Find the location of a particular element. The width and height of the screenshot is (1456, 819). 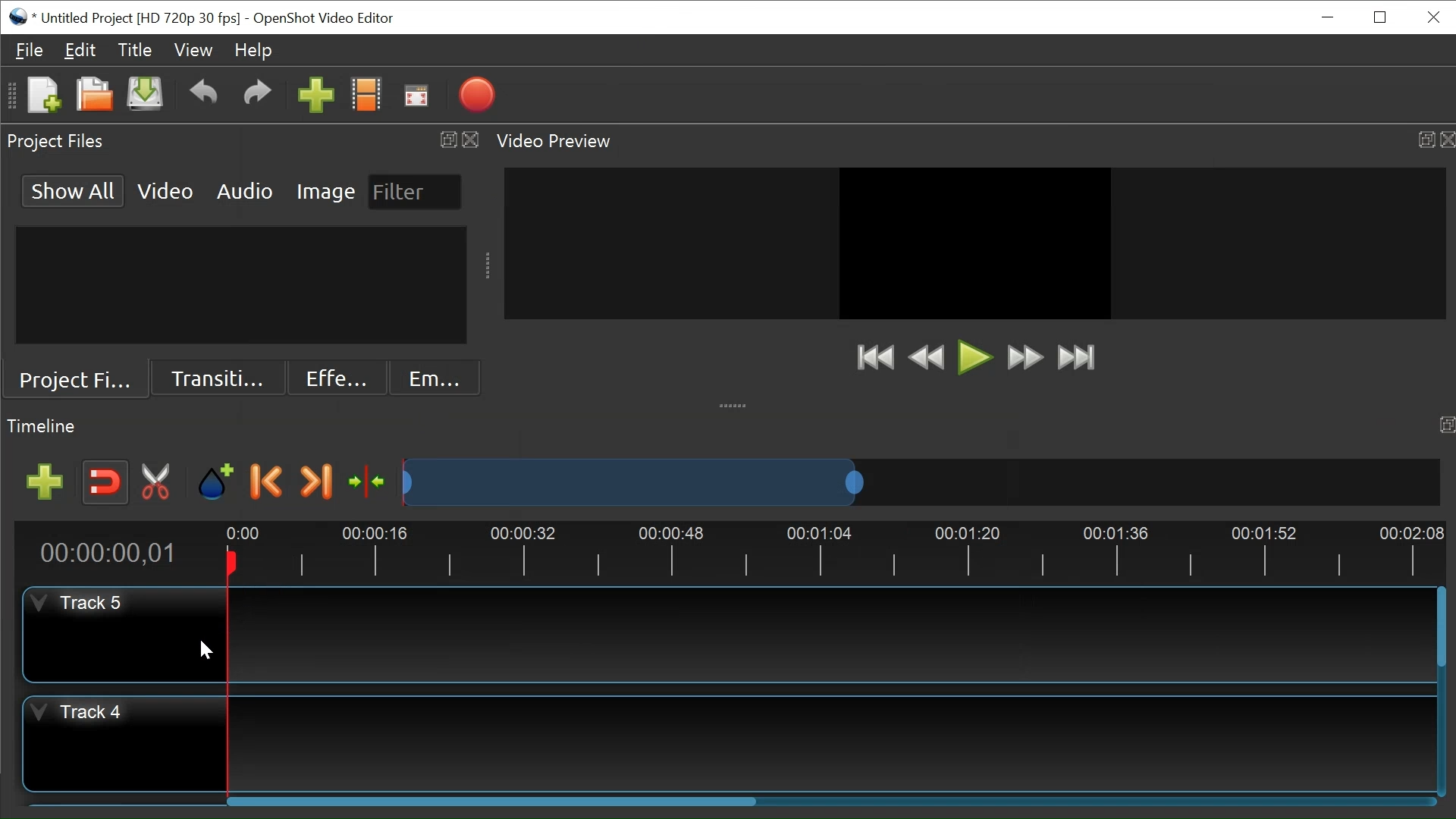

Fullscreen is located at coordinates (415, 96).